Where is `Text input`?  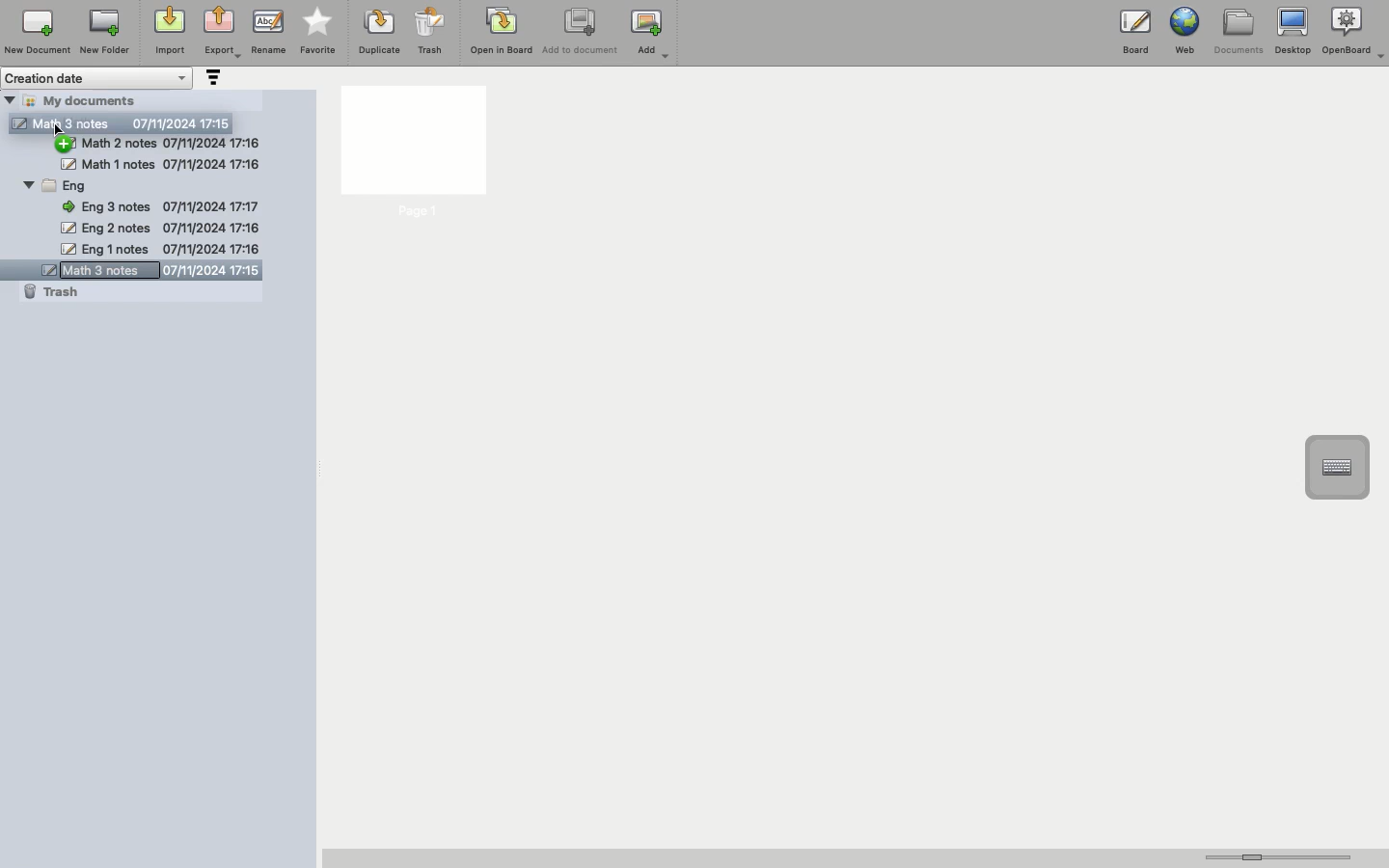 Text input is located at coordinates (1336, 468).